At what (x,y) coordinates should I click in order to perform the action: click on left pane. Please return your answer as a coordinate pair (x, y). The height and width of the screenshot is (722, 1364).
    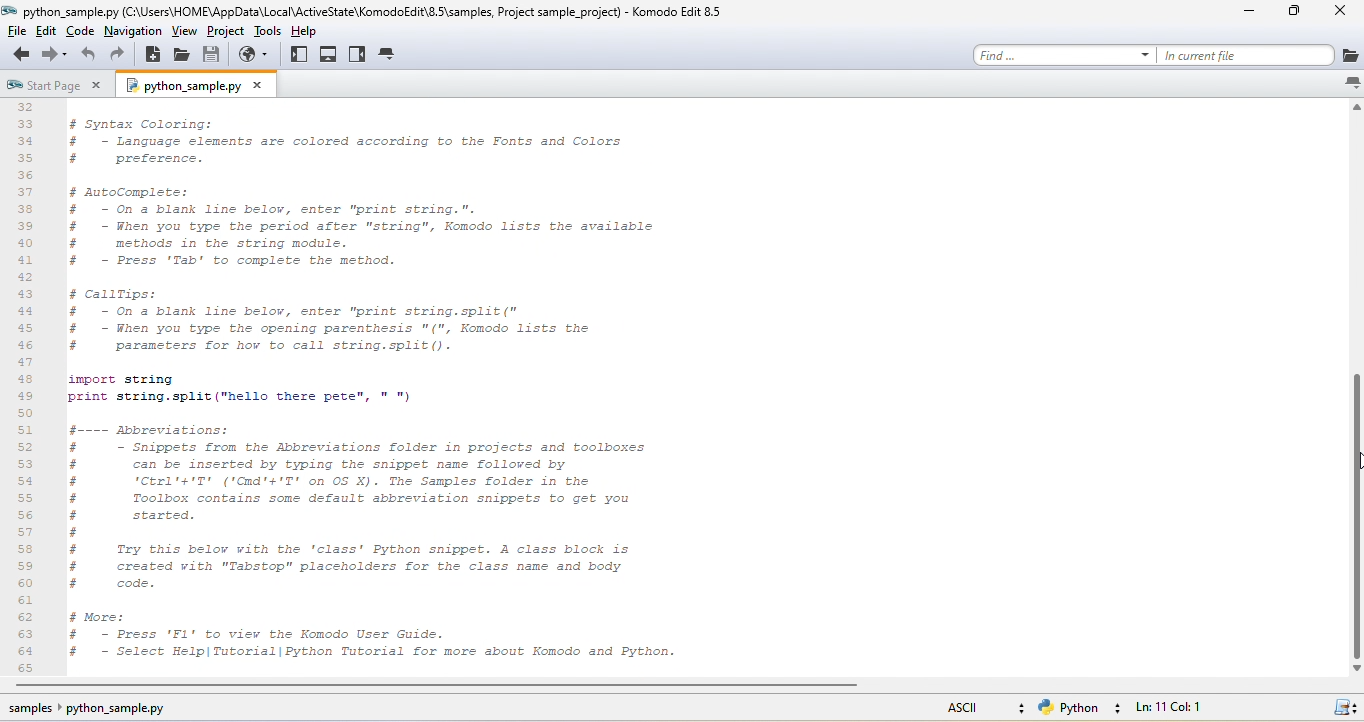
    Looking at the image, I should click on (301, 56).